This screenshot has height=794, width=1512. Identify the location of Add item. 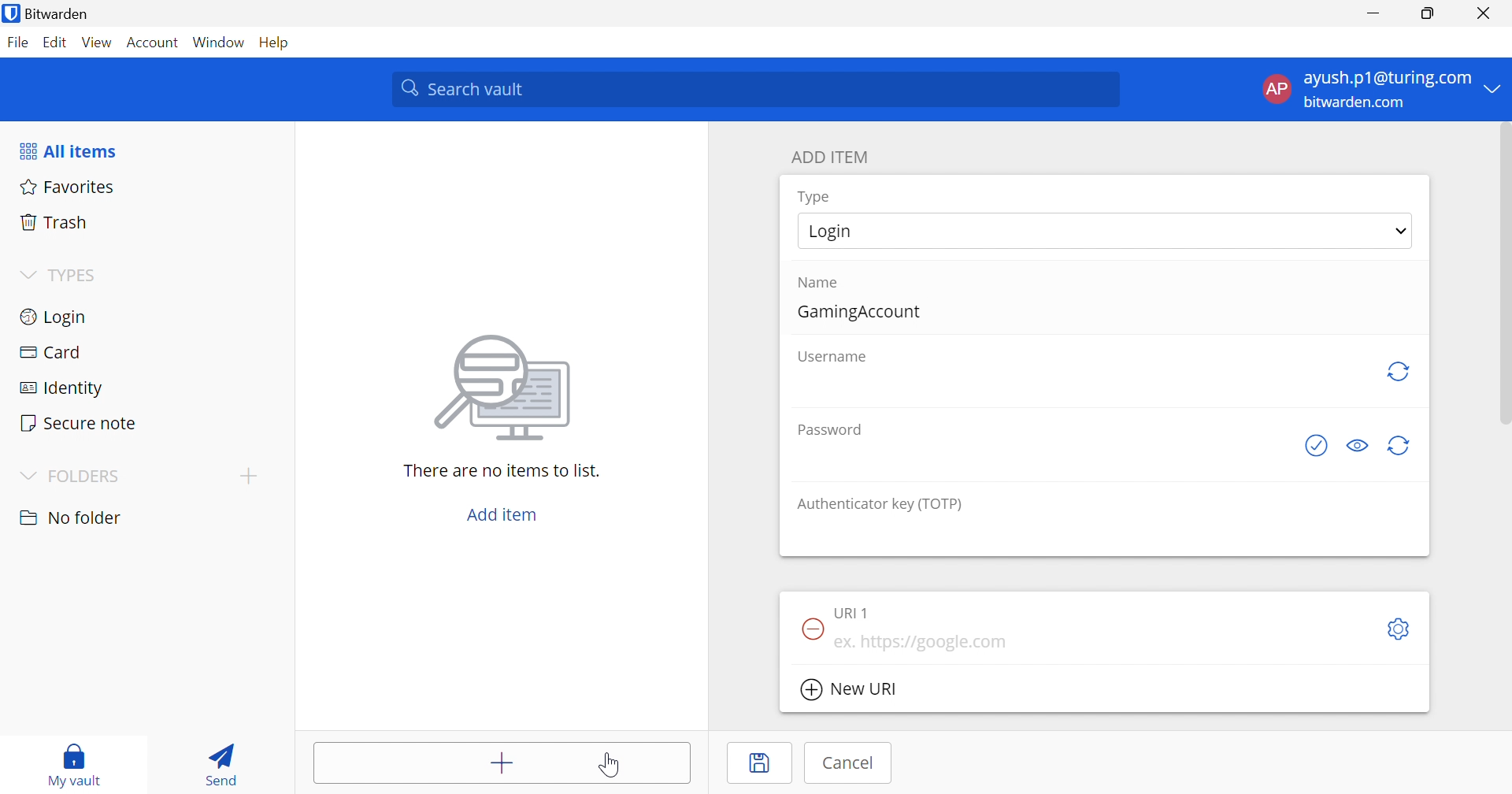
(498, 514).